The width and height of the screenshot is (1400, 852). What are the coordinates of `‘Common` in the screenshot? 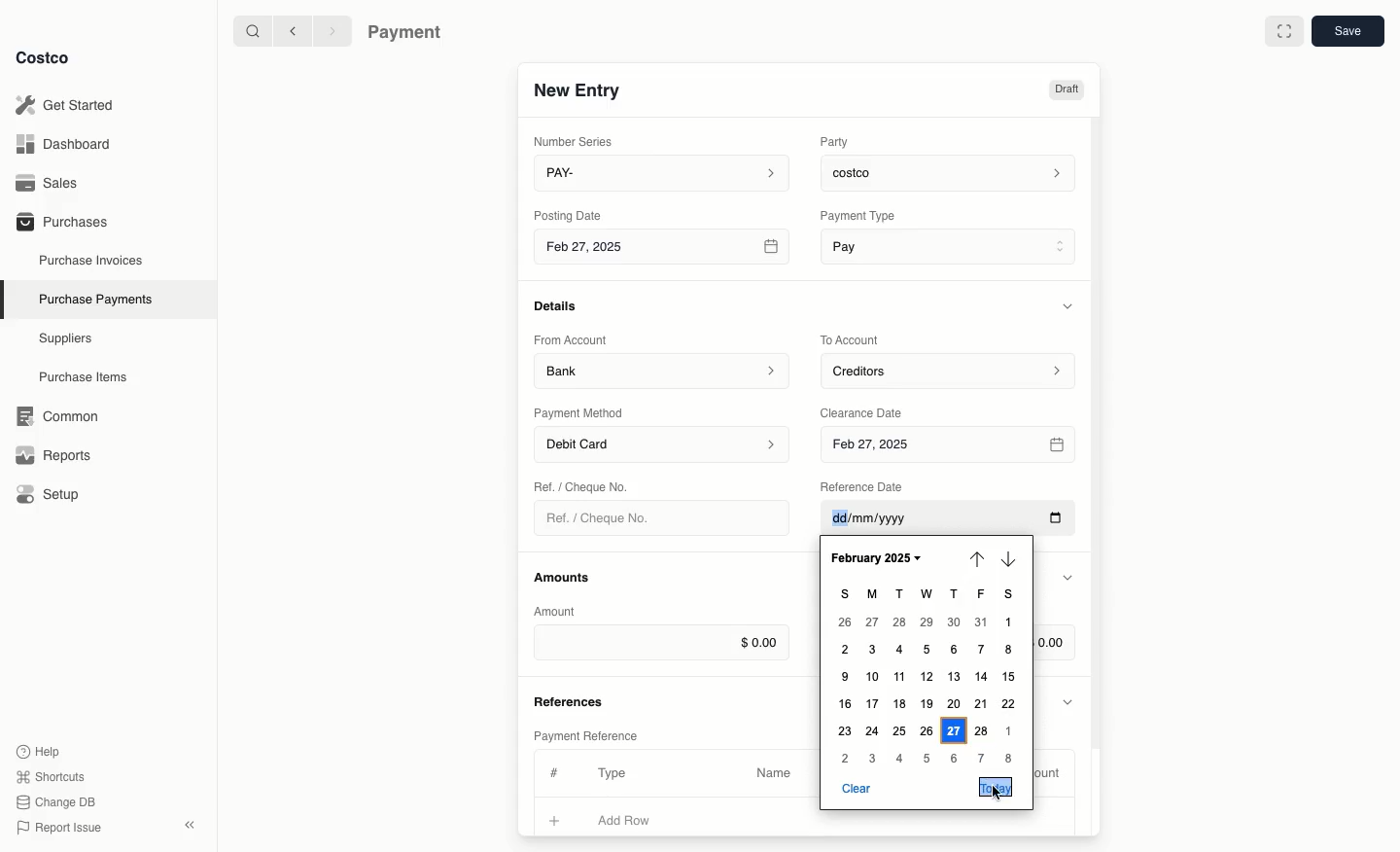 It's located at (61, 413).